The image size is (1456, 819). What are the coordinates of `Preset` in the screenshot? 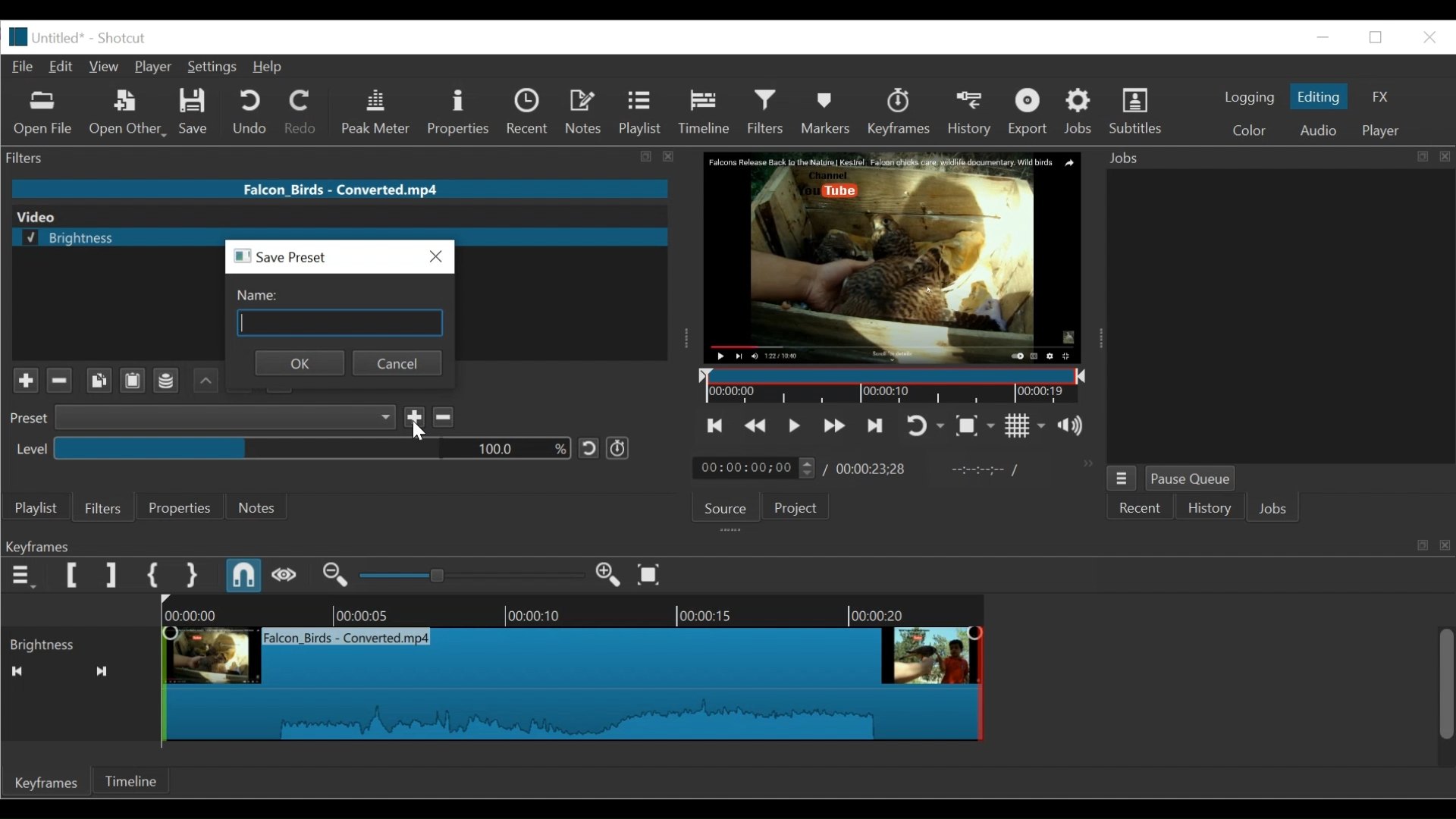 It's located at (24, 421).